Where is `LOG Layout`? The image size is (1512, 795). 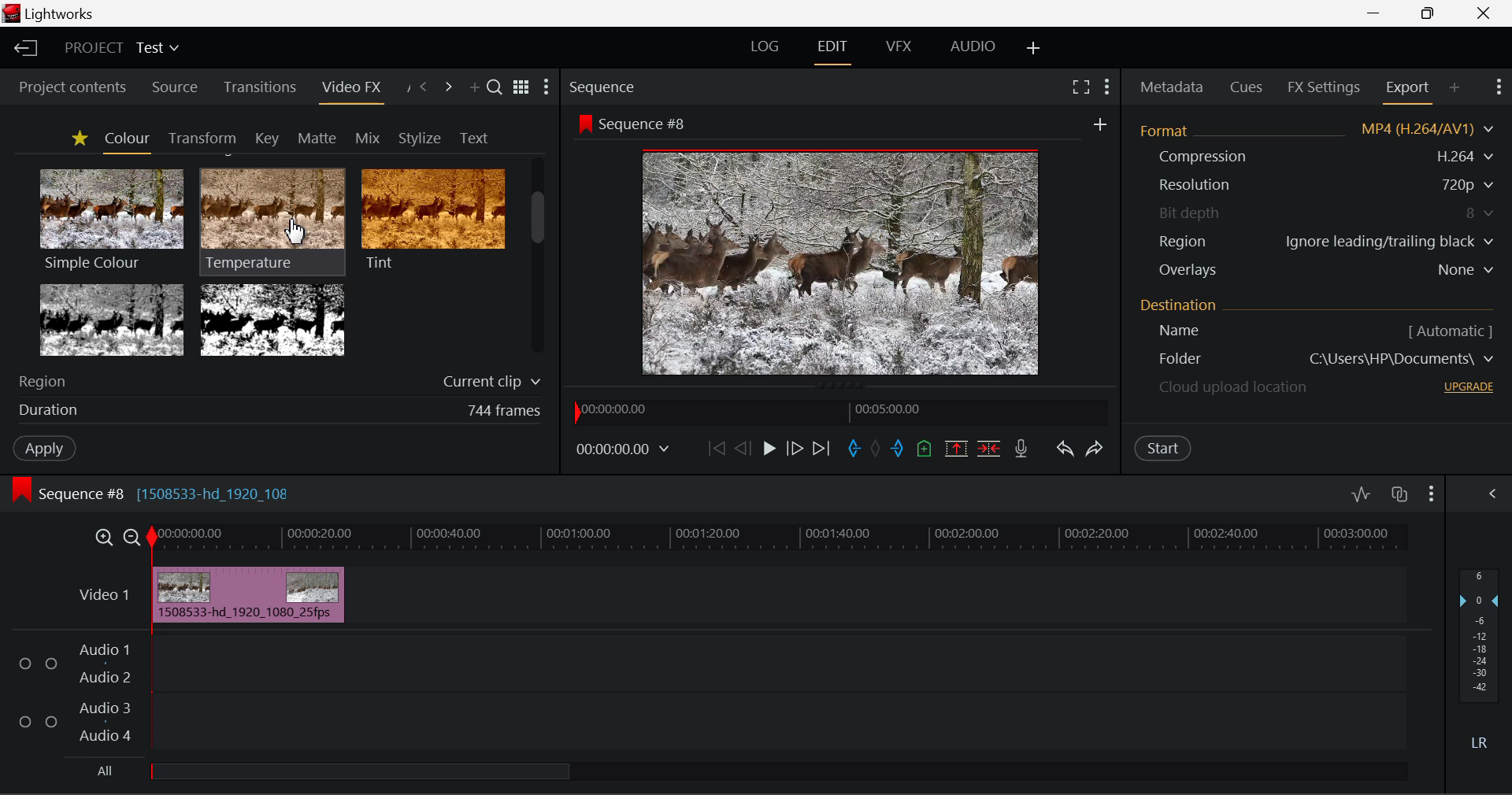 LOG Layout is located at coordinates (767, 46).